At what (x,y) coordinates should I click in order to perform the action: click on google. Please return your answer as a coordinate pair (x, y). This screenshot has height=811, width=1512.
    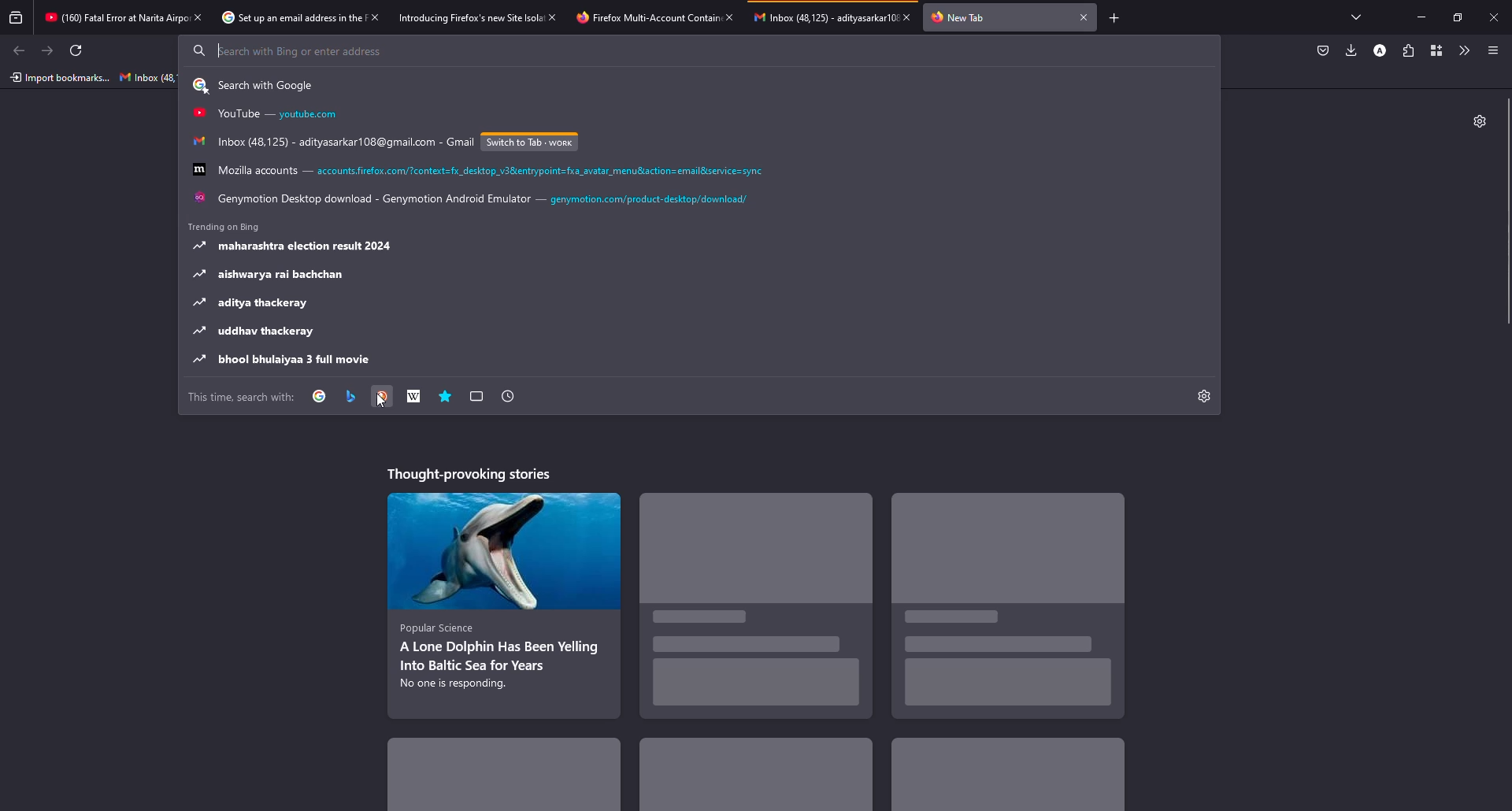
    Looking at the image, I should click on (320, 396).